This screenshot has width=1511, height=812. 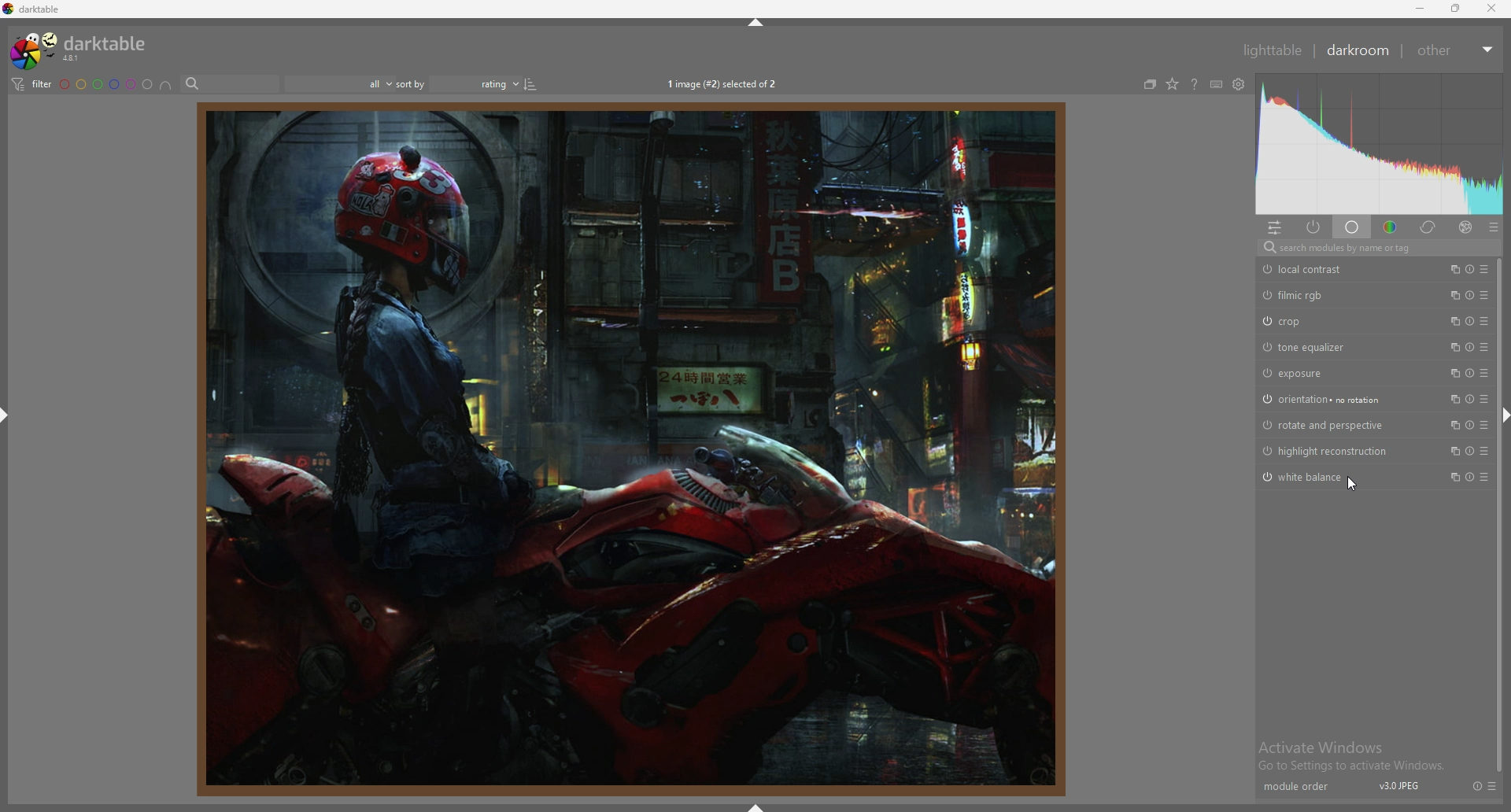 I want to click on reset, so click(x=1469, y=477).